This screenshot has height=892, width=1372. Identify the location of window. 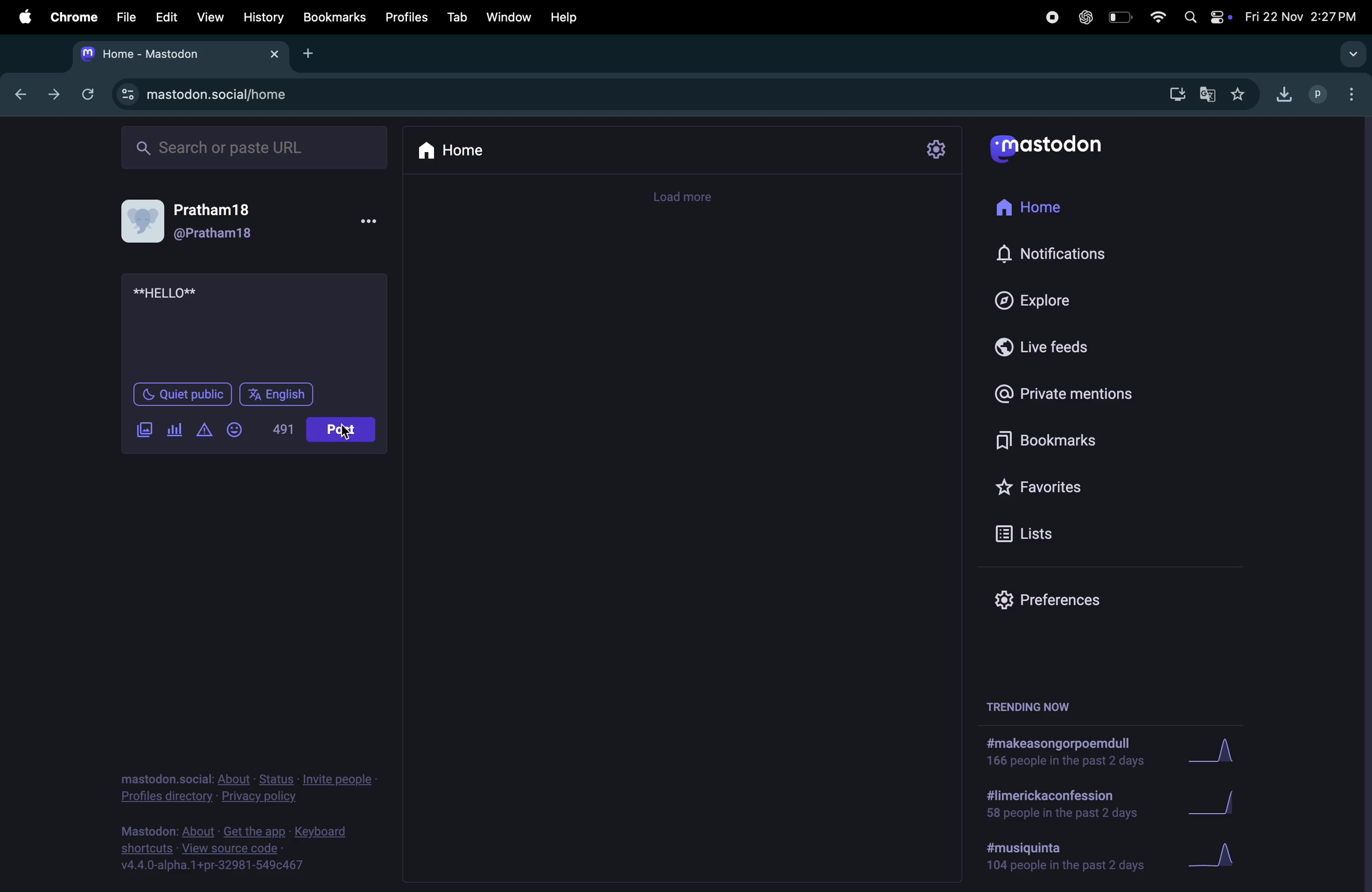
(510, 14).